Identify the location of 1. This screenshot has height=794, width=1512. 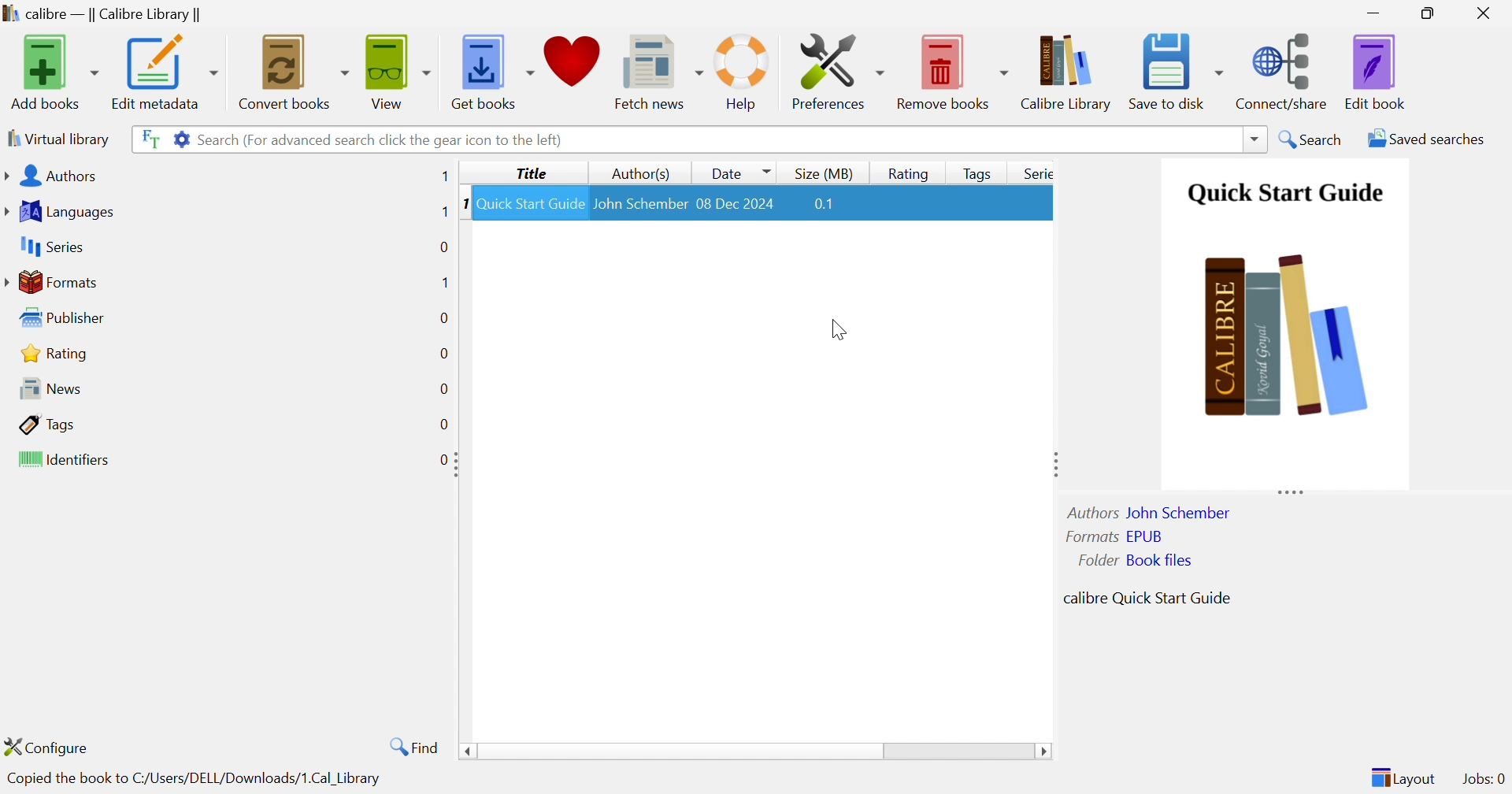
(444, 281).